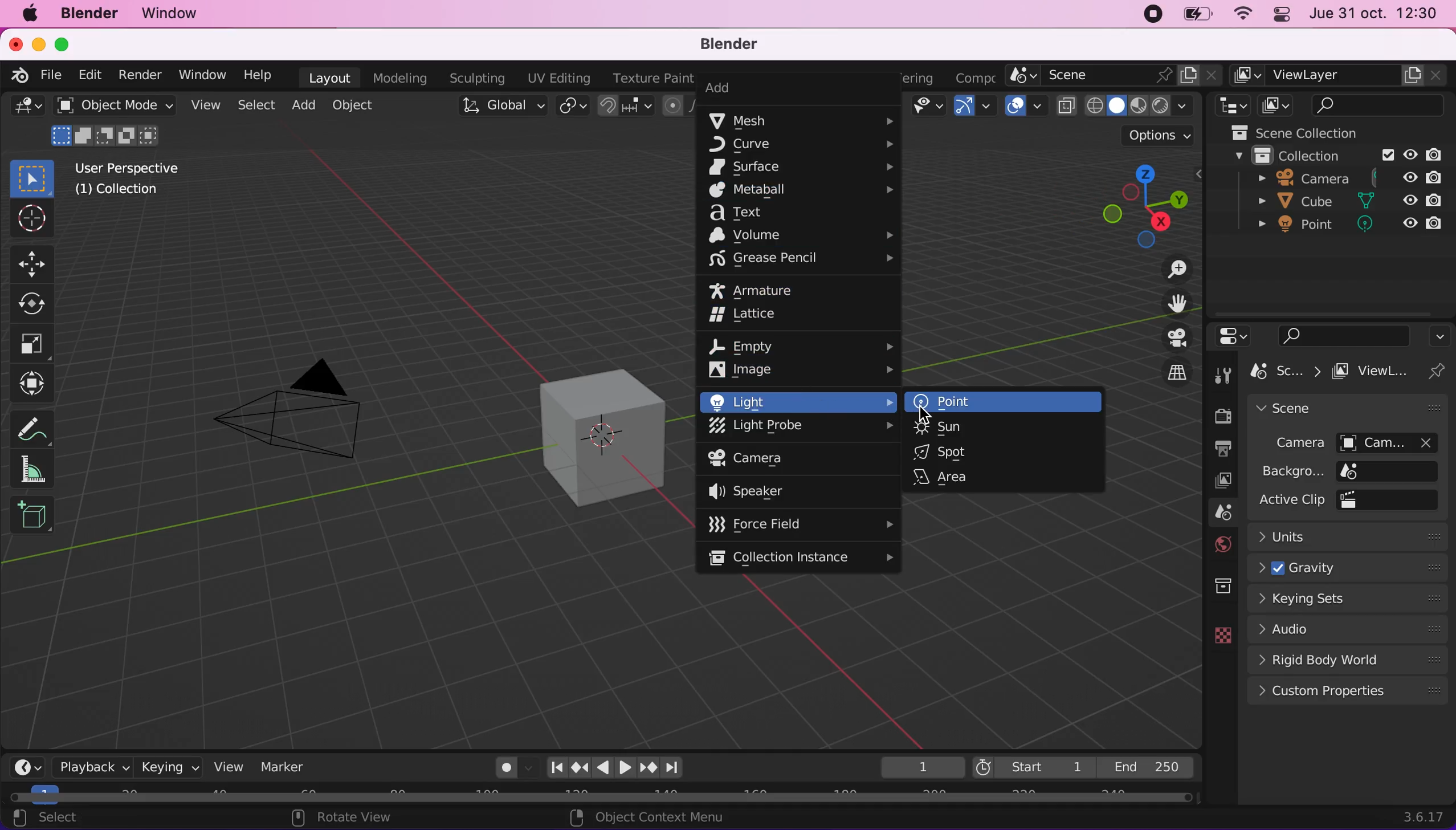 Image resolution: width=1456 pixels, height=830 pixels. I want to click on options, so click(1438, 335).